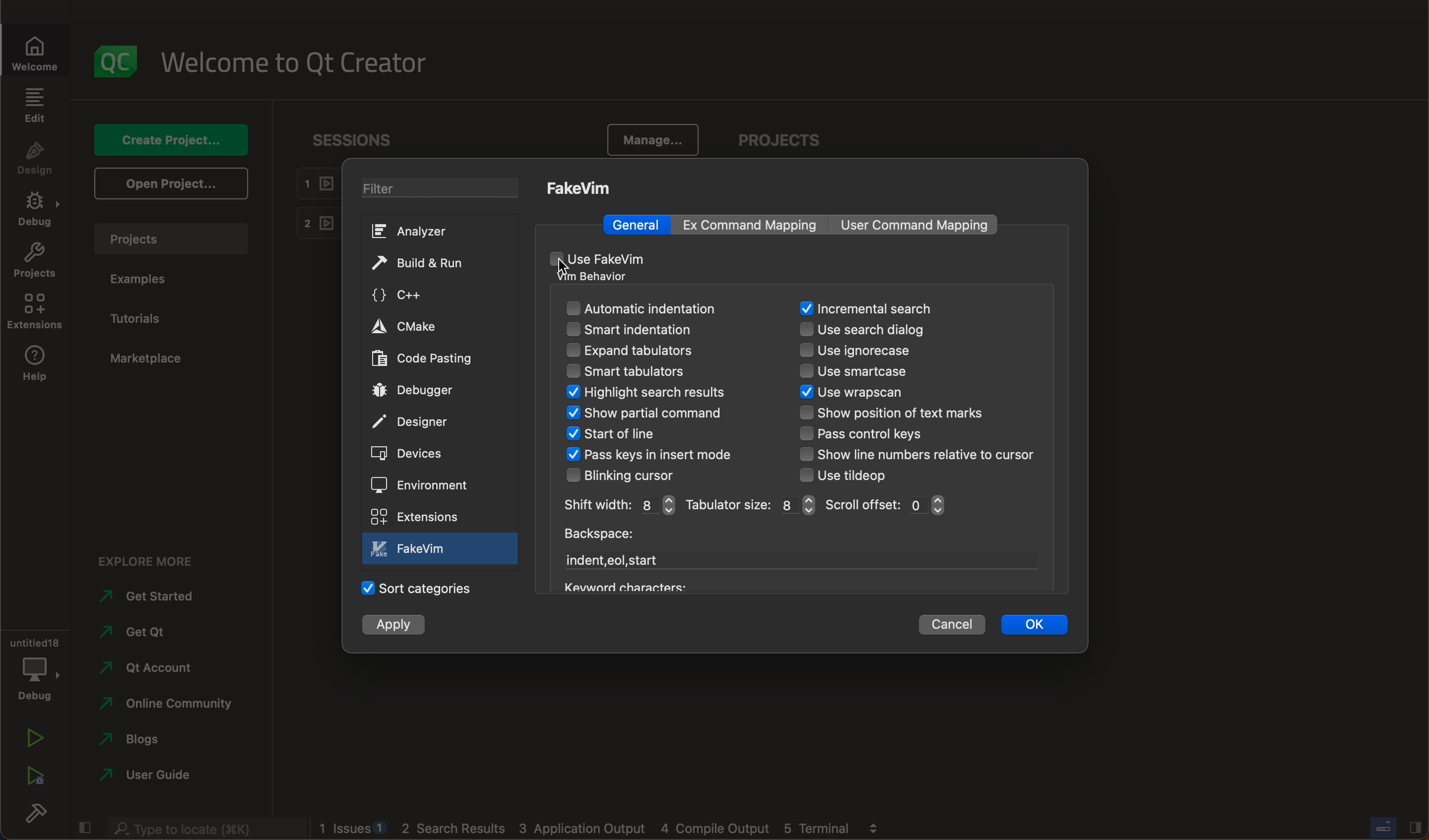 This screenshot has width=1429, height=840. I want to click on scroll, so click(887, 505).